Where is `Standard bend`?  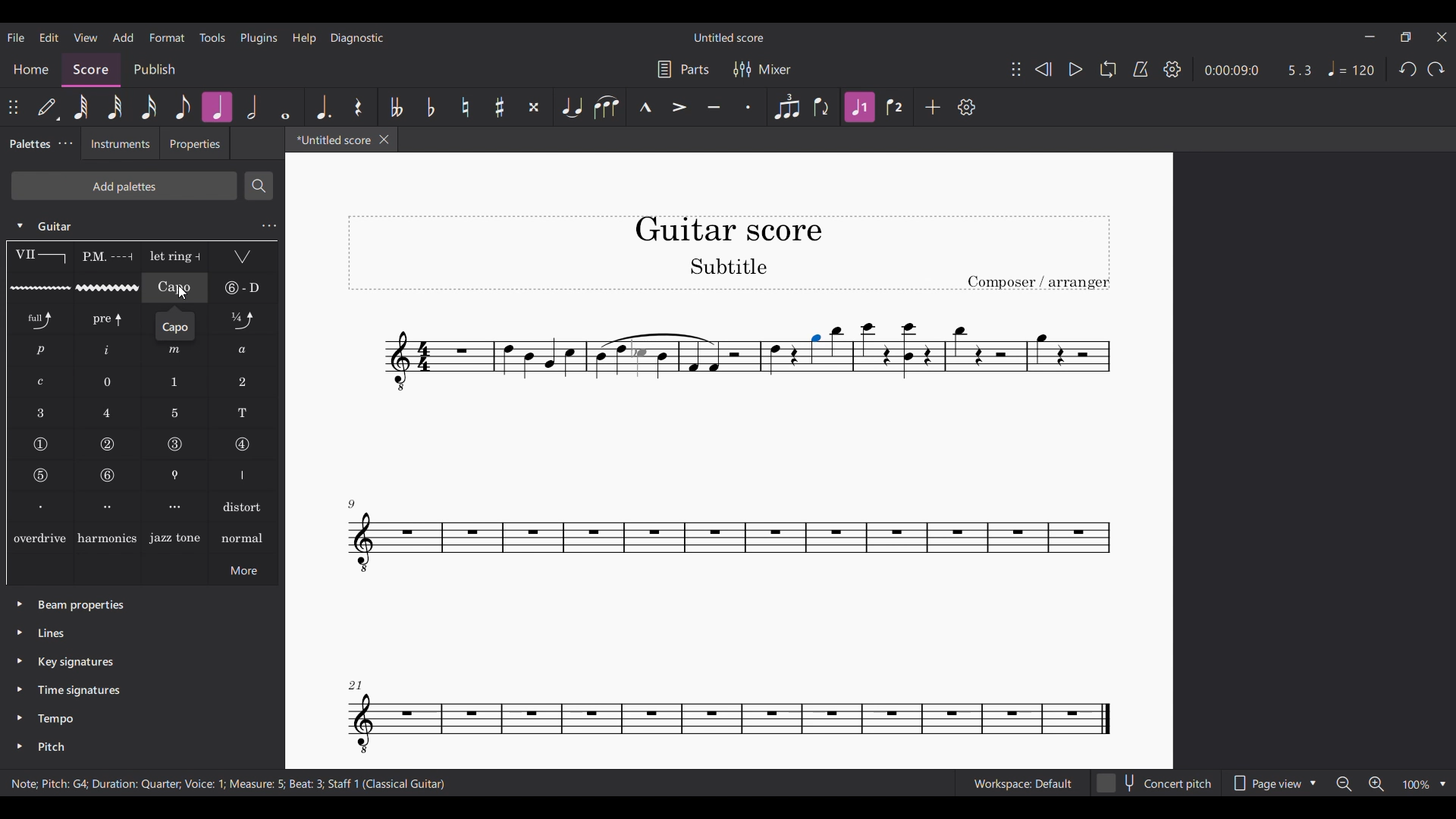
Standard bend is located at coordinates (41, 319).